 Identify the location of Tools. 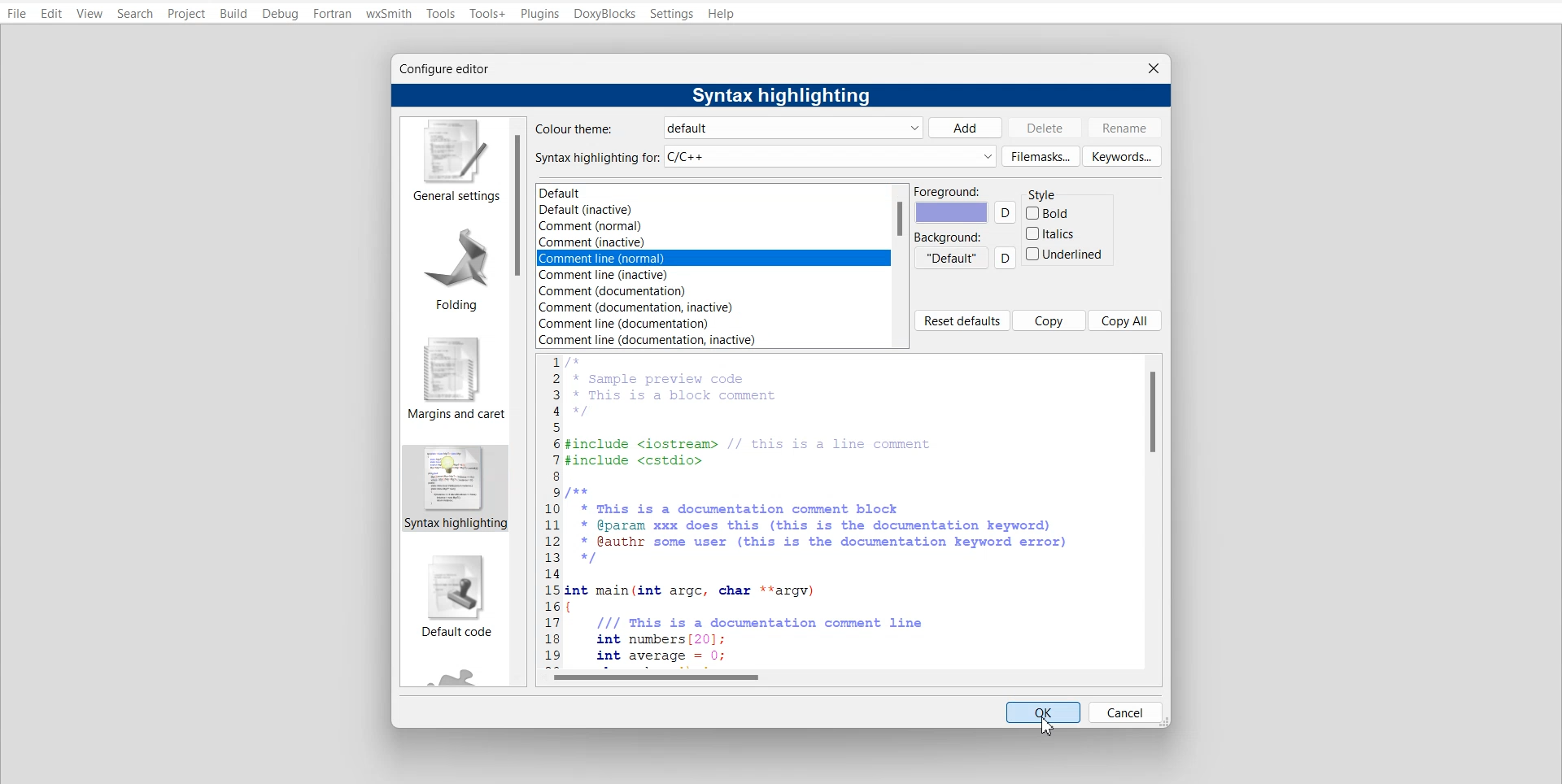
(441, 13).